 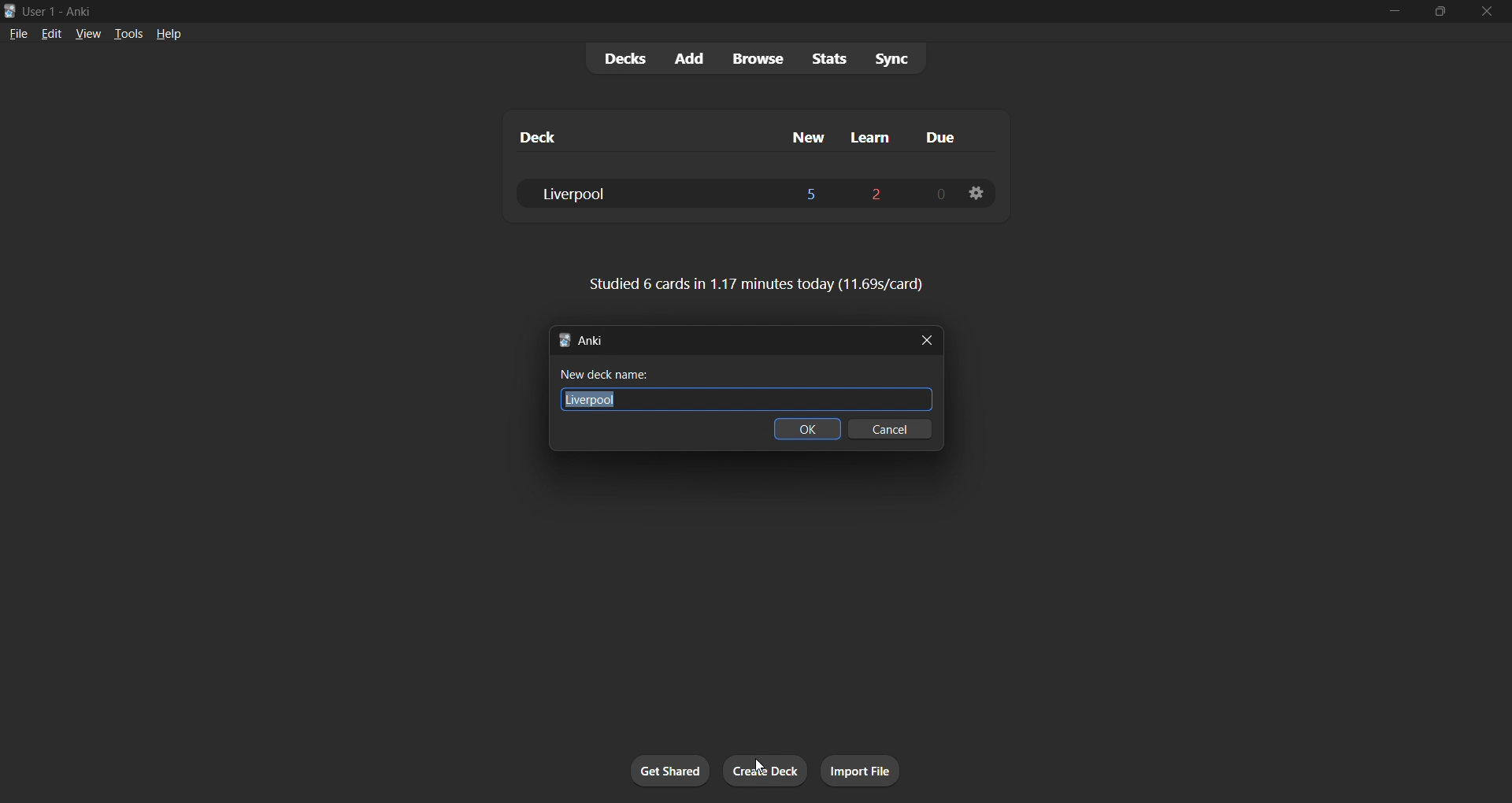 I want to click on liverpool deck data, so click(x=732, y=193).